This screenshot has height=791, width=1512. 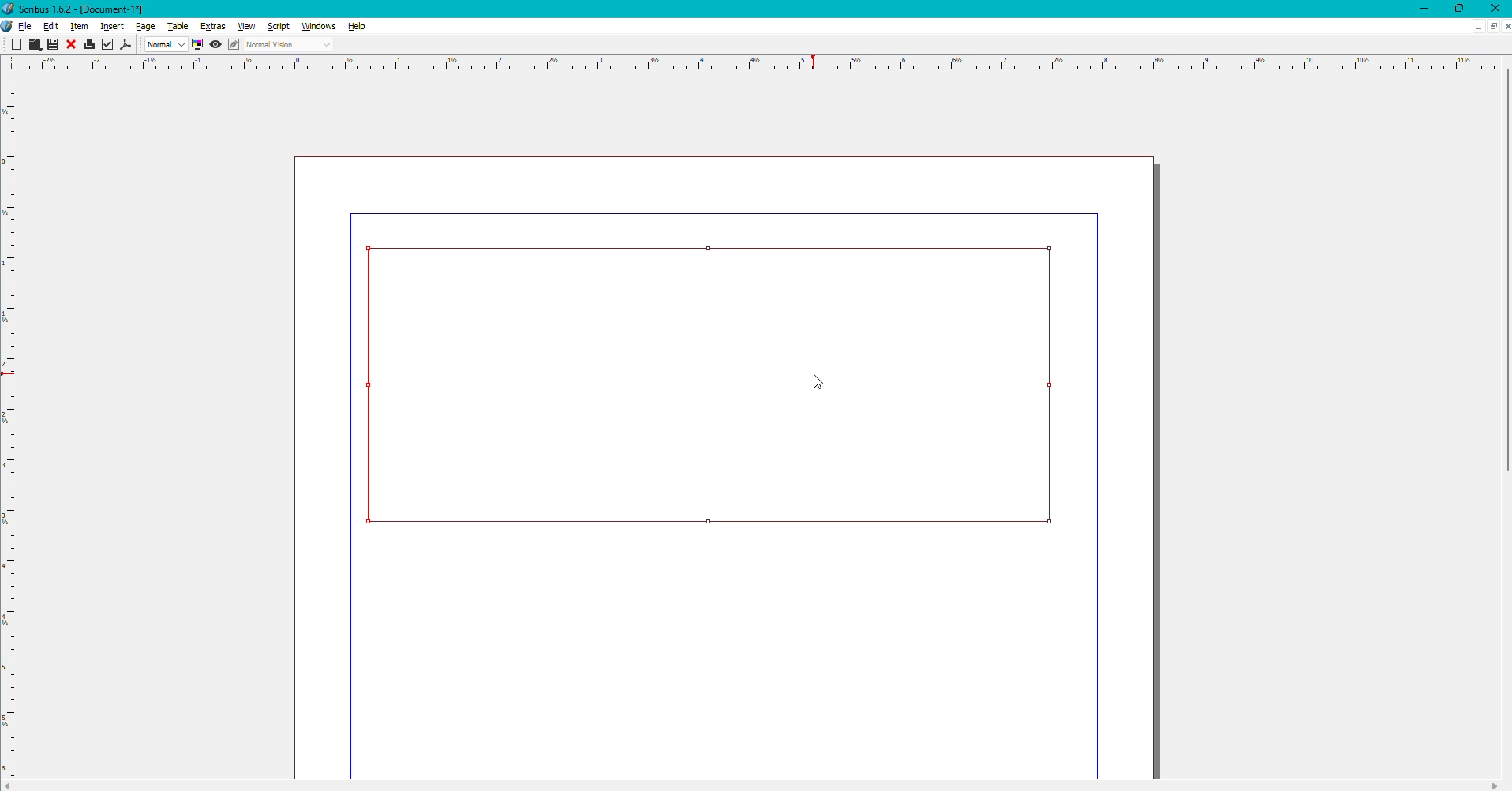 What do you see at coordinates (1497, 9) in the screenshot?
I see `Close` at bounding box center [1497, 9].